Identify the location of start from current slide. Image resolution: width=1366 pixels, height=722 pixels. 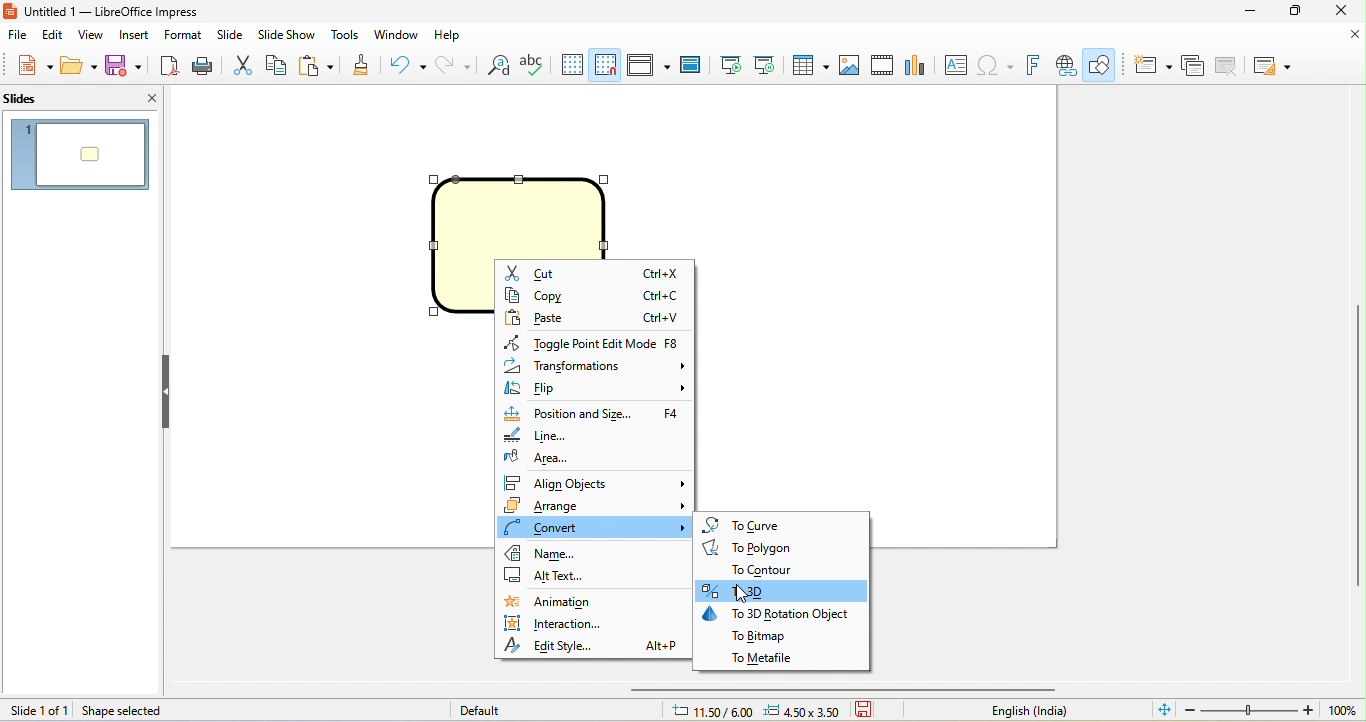
(767, 65).